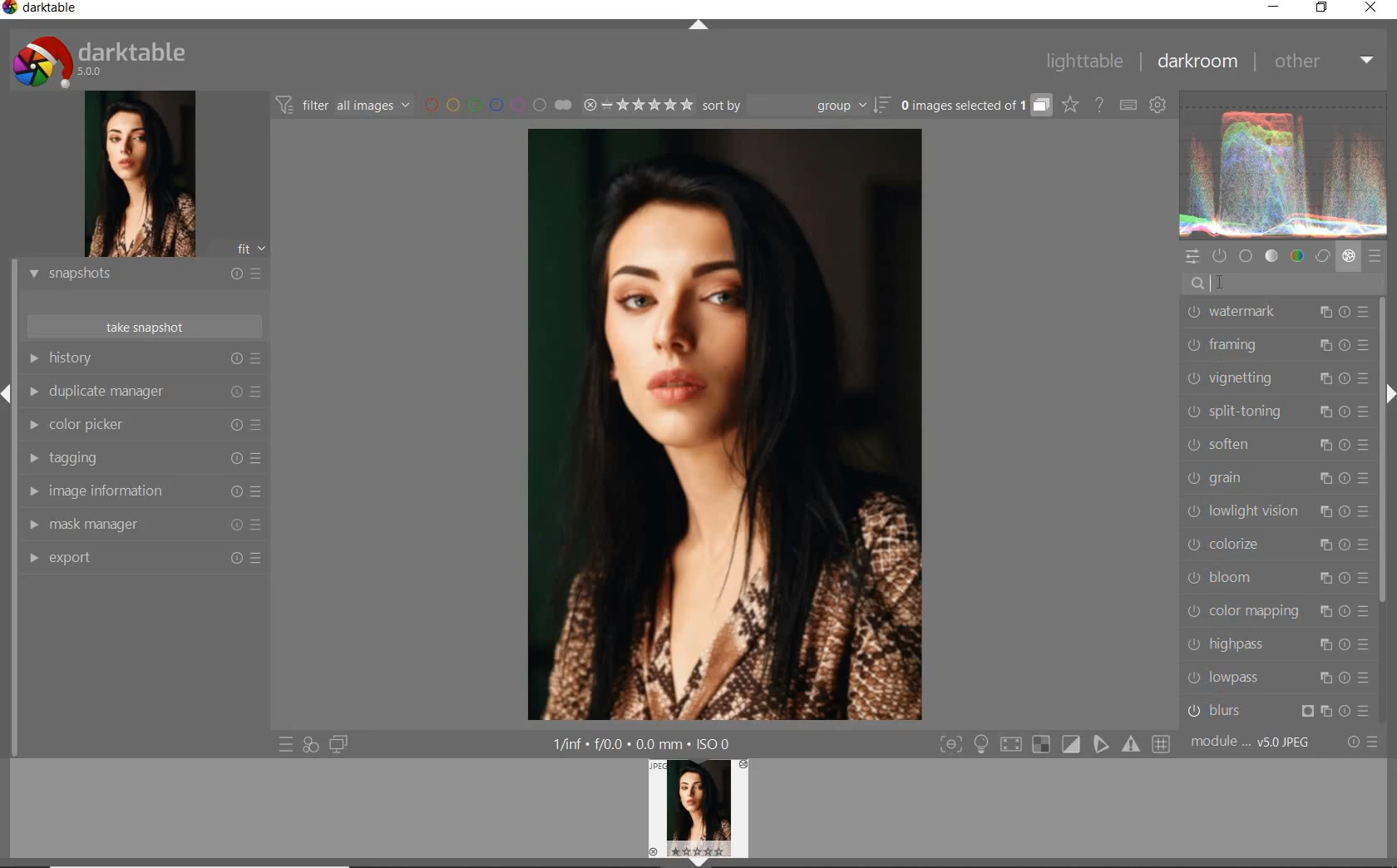 The width and height of the screenshot is (1397, 868). What do you see at coordinates (140, 460) in the screenshot?
I see `tagging` at bounding box center [140, 460].